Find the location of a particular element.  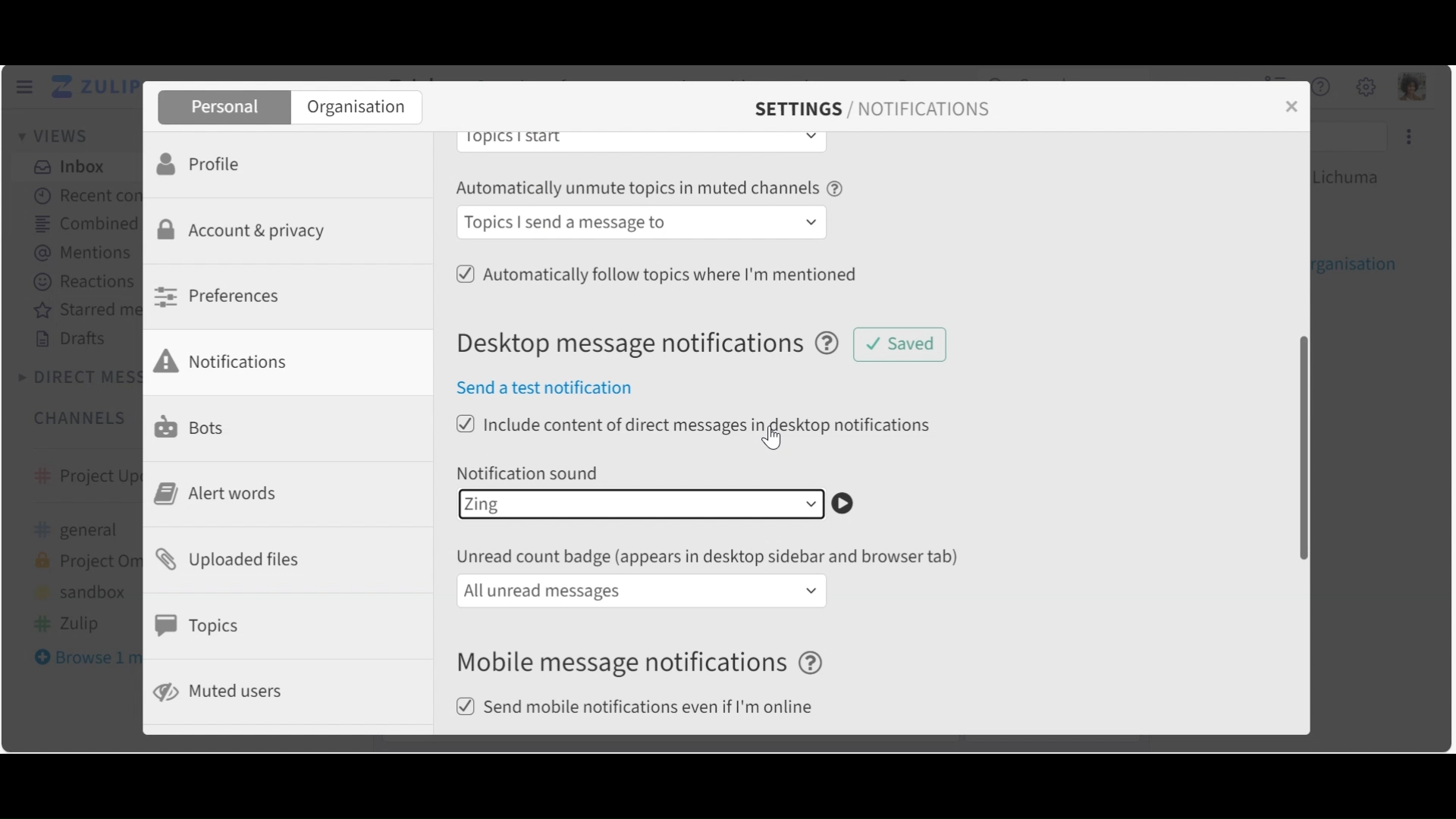

Alert Words is located at coordinates (221, 494).